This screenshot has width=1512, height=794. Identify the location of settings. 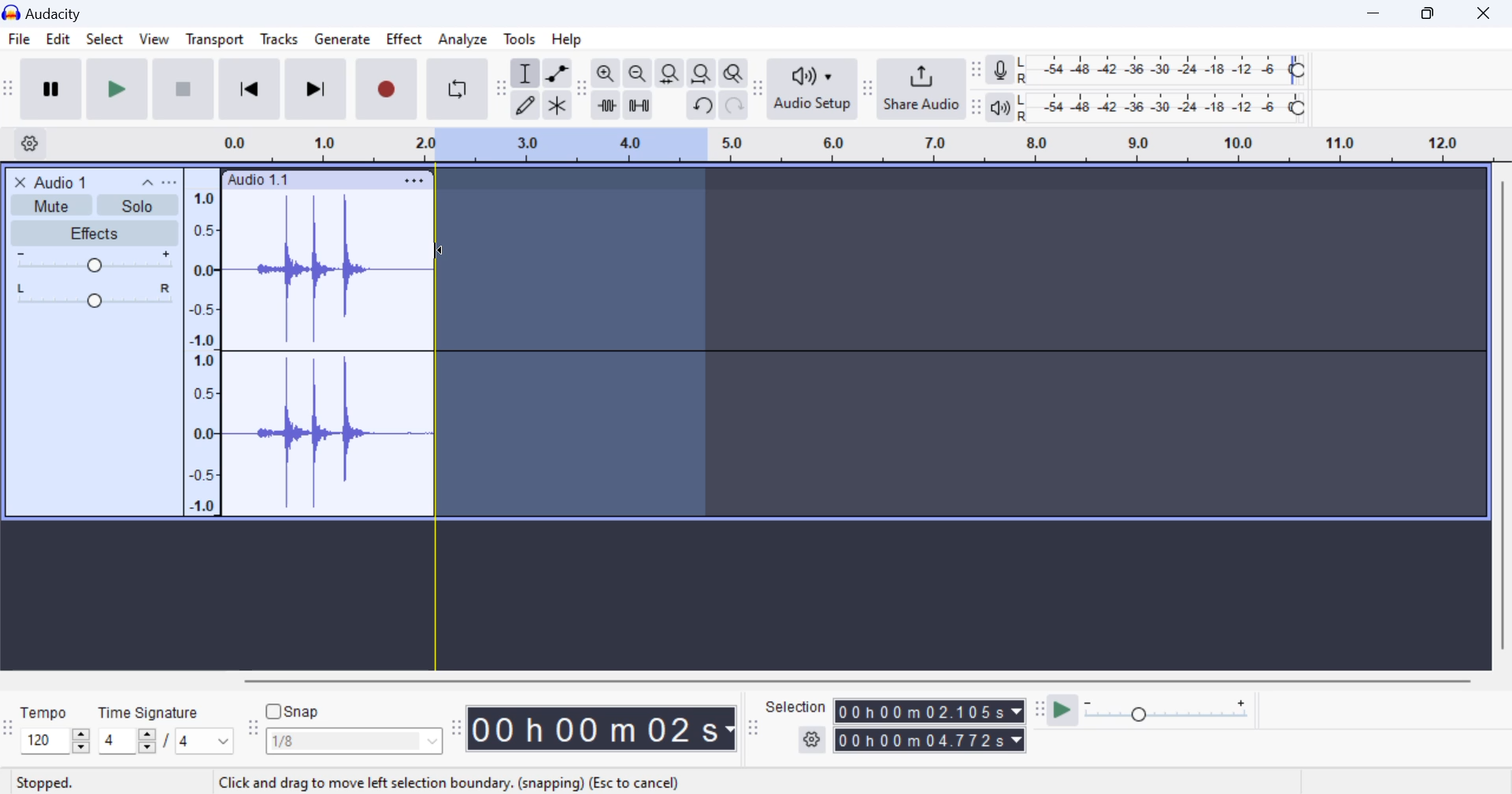
(813, 740).